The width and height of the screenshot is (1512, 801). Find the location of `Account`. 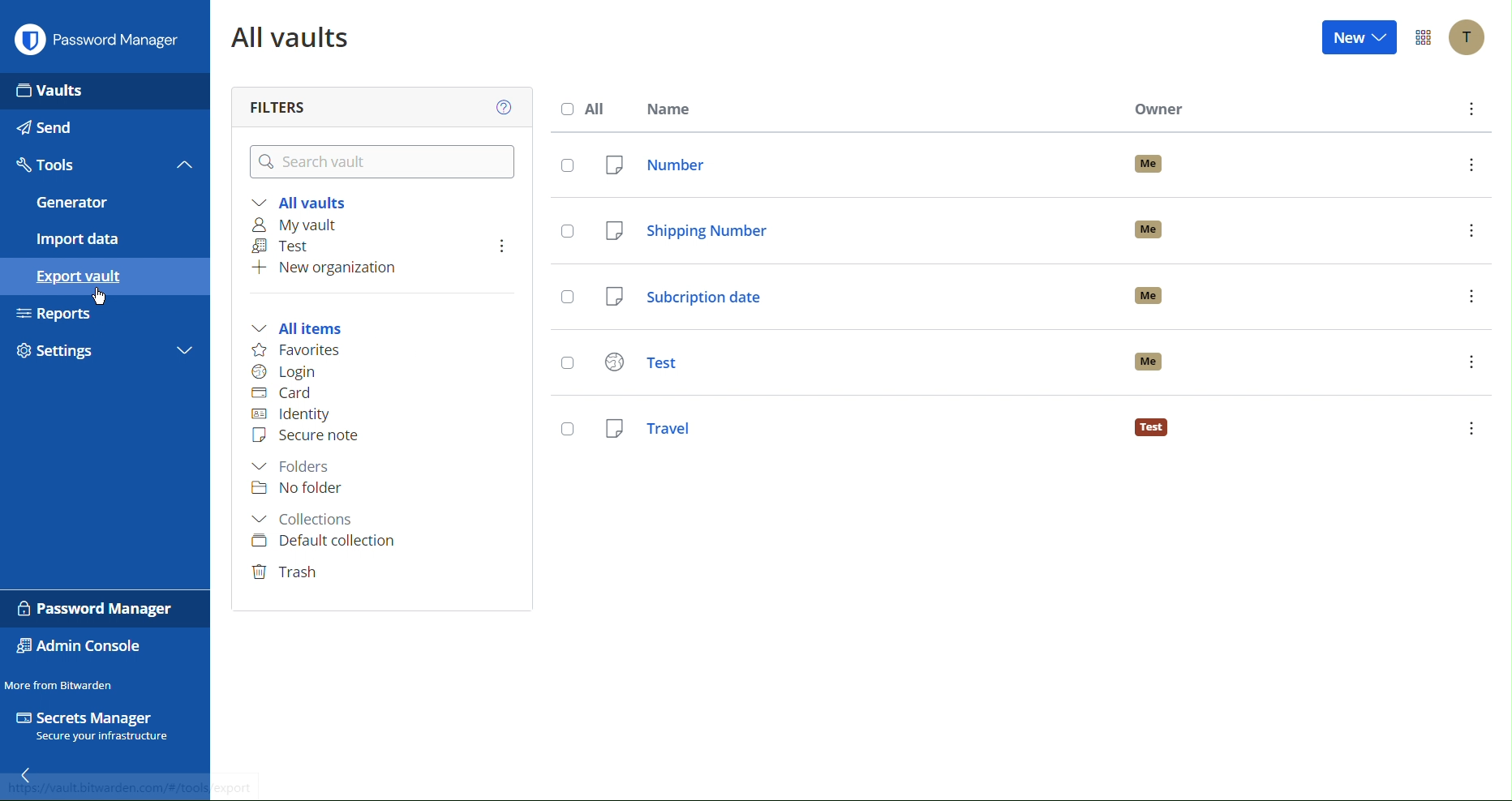

Account is located at coordinates (1468, 38).